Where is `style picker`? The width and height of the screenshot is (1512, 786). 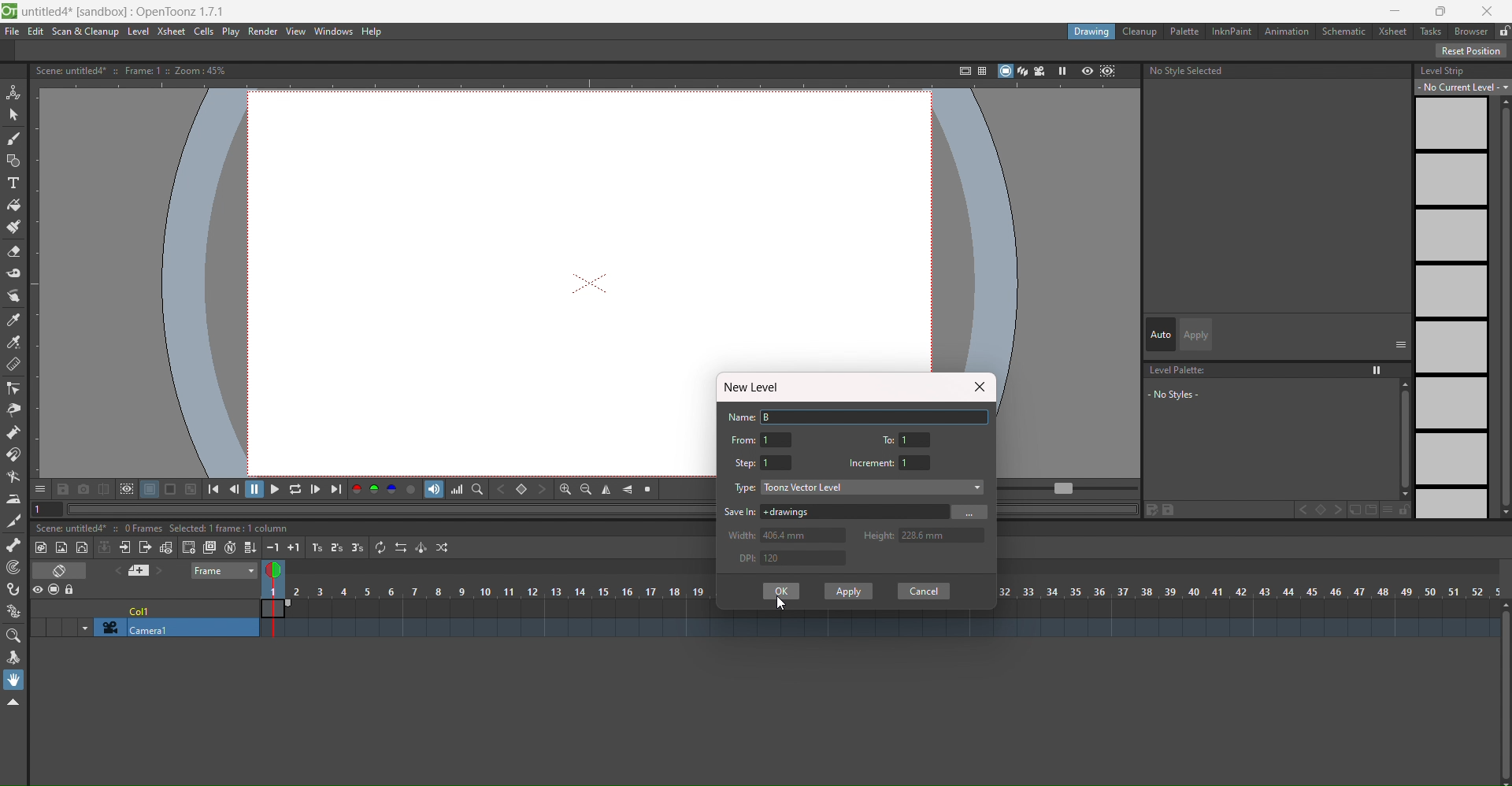 style picker is located at coordinates (15, 321).